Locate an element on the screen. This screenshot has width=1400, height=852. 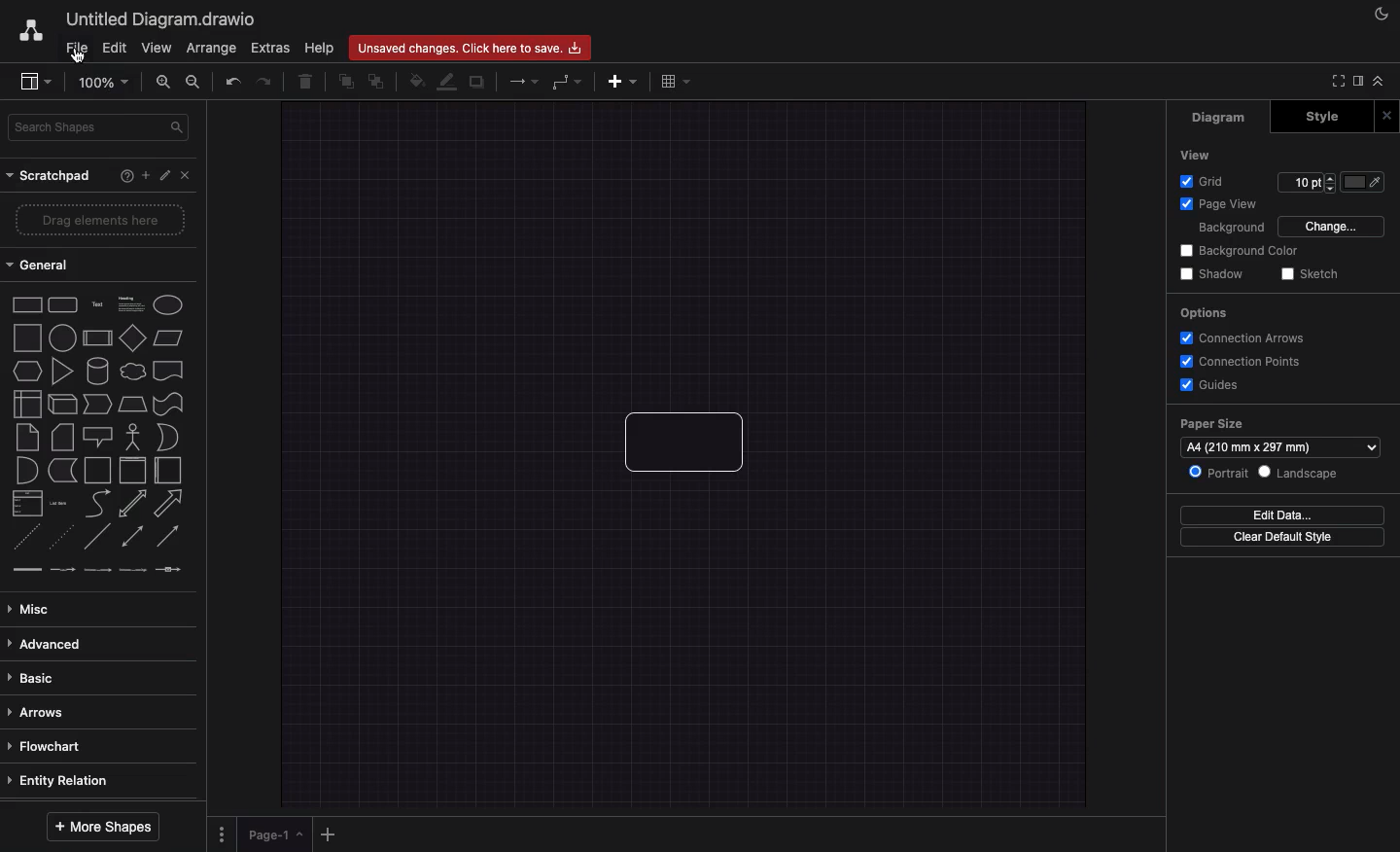
Arrows is located at coordinates (36, 713).